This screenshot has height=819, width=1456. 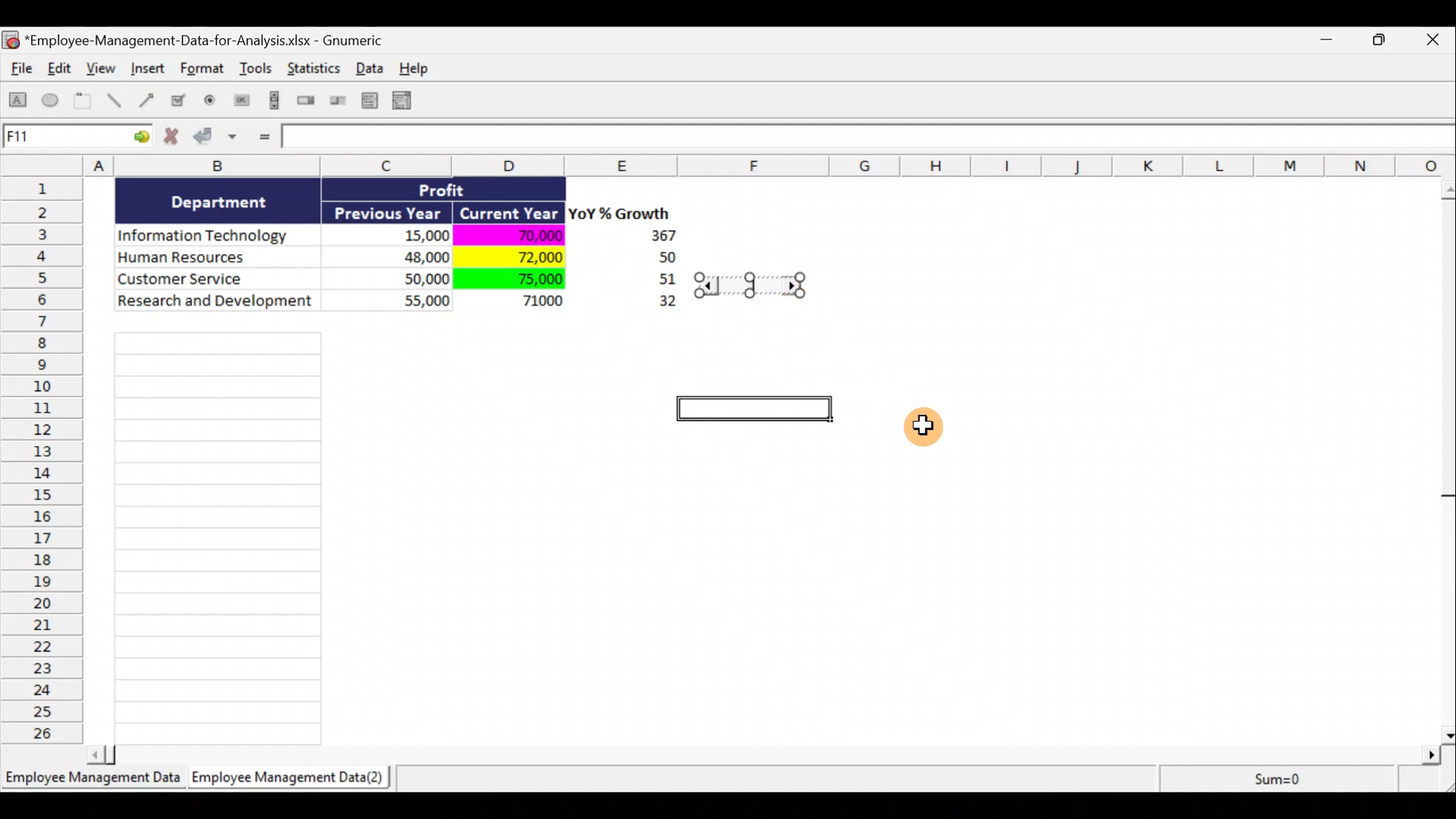 What do you see at coordinates (1446, 458) in the screenshot?
I see `Scroll bar` at bounding box center [1446, 458].